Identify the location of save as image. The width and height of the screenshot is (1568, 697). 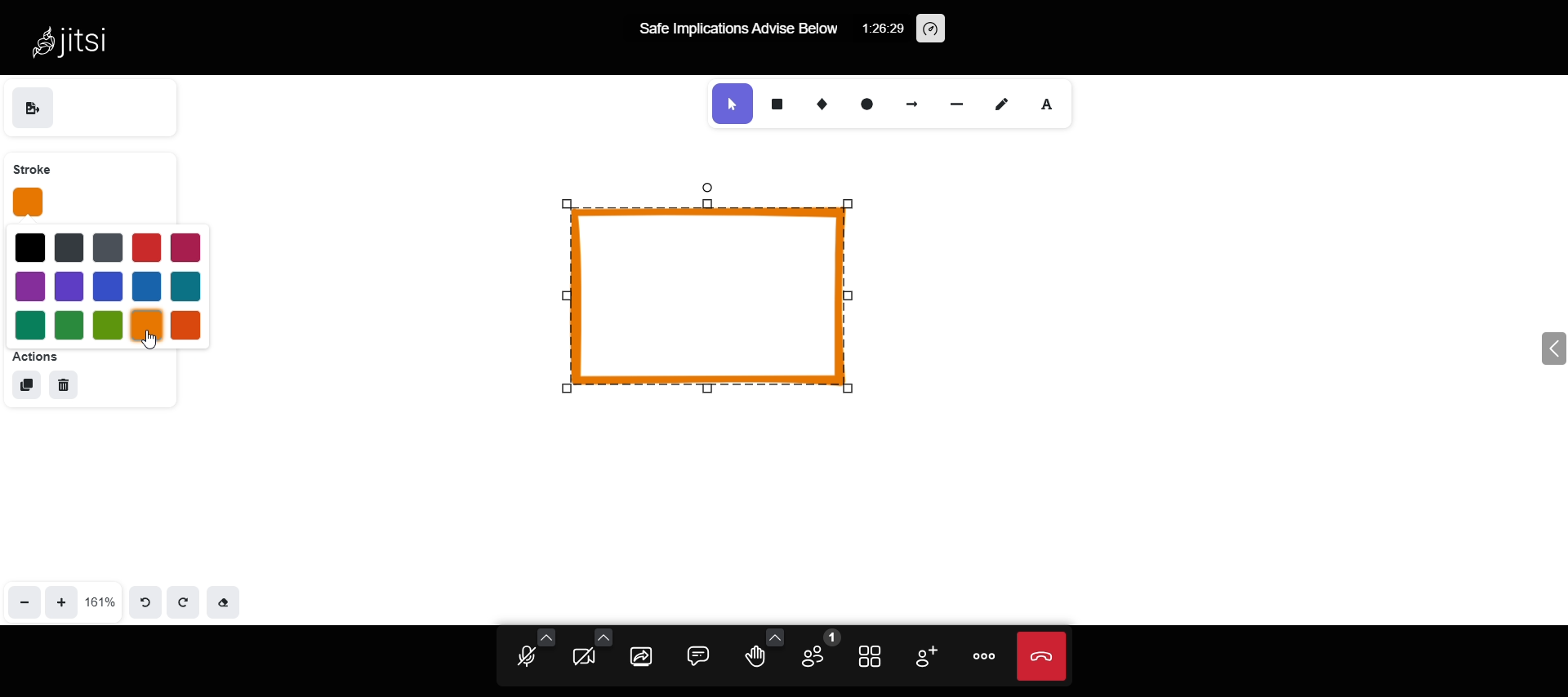
(30, 107).